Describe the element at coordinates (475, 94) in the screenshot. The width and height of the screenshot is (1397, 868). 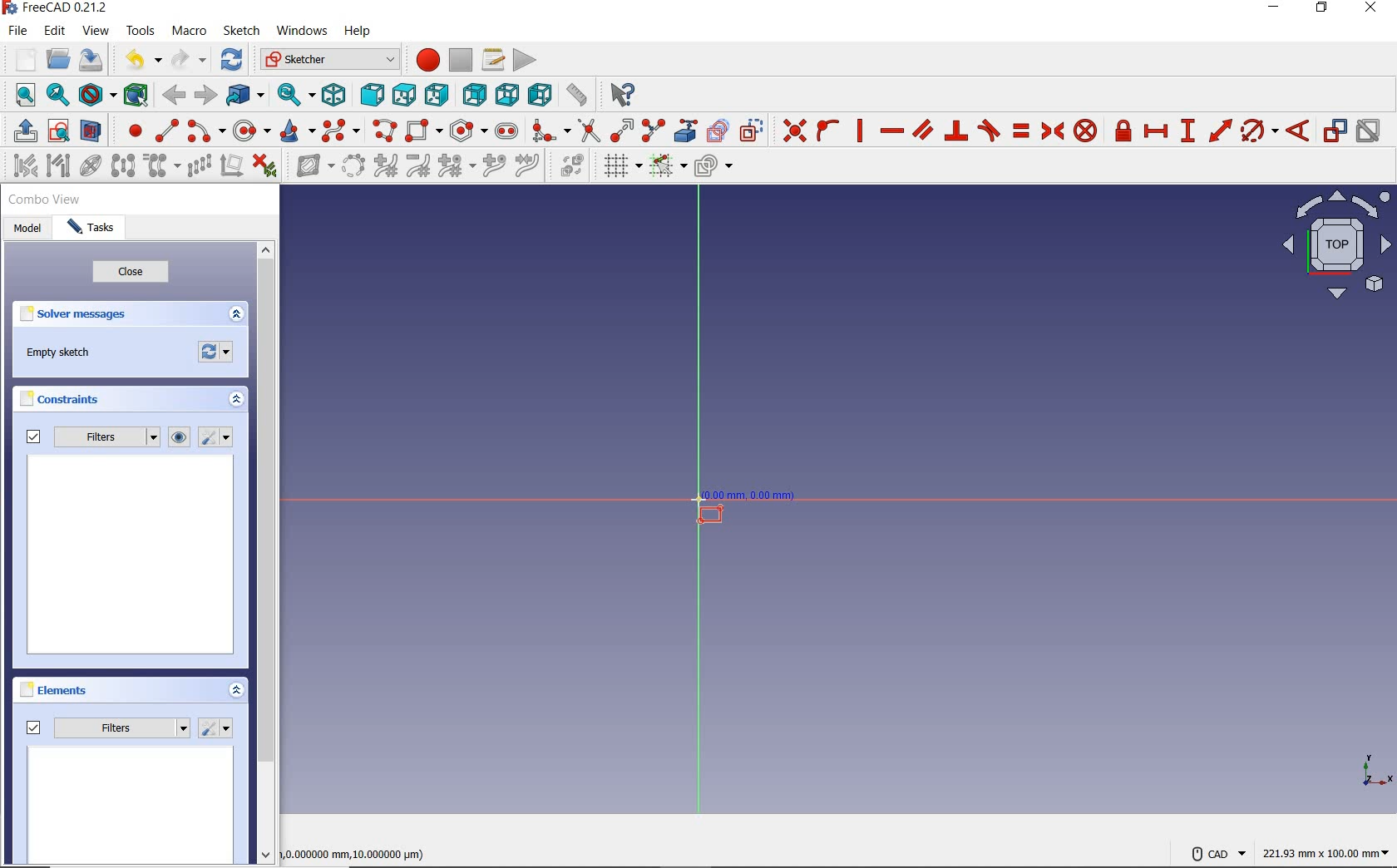
I see `rear` at that location.